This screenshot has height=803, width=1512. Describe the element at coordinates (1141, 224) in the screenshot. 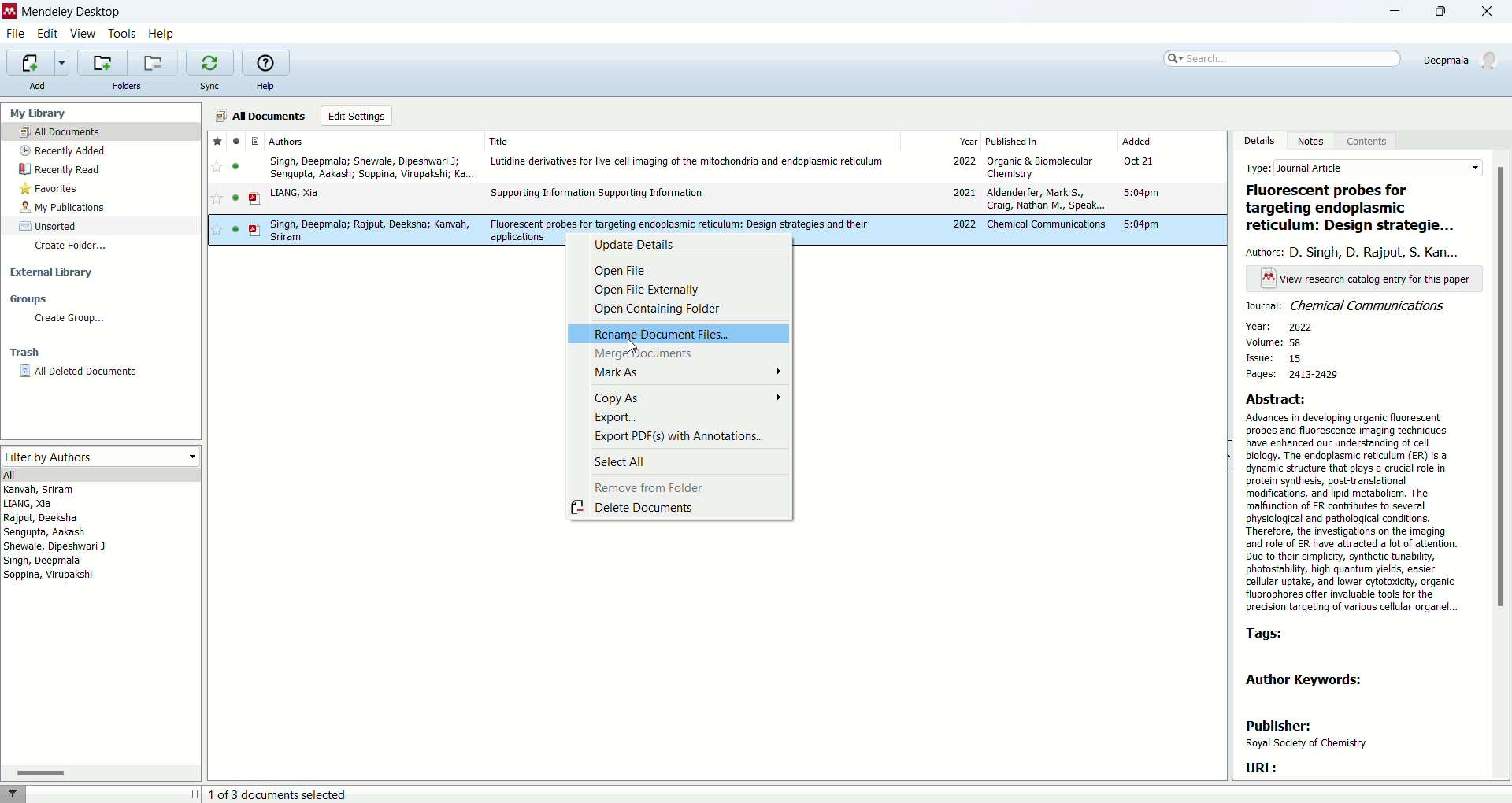

I see `5:04pm` at that location.